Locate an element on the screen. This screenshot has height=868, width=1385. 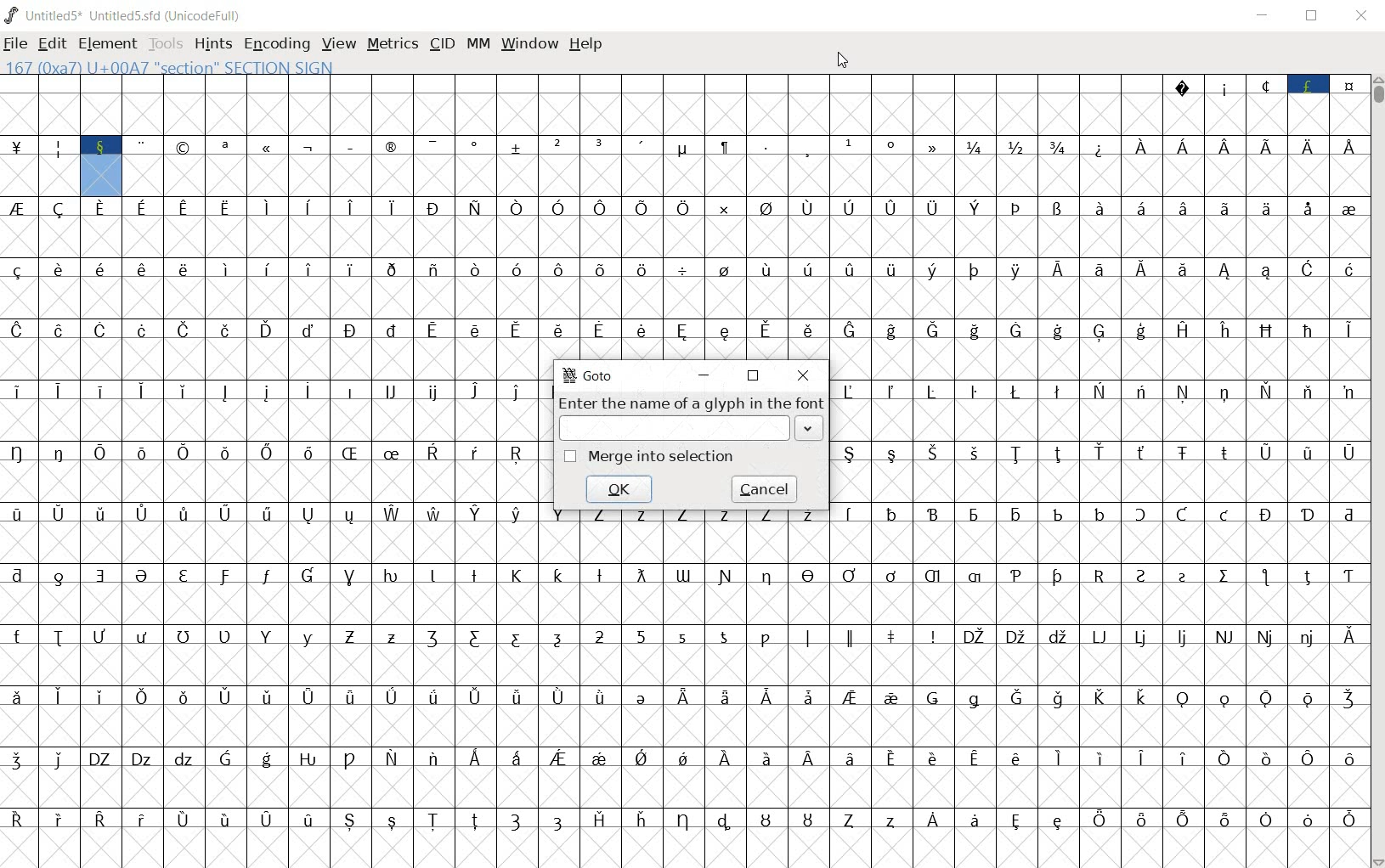
Latin extended characters is located at coordinates (557, 288).